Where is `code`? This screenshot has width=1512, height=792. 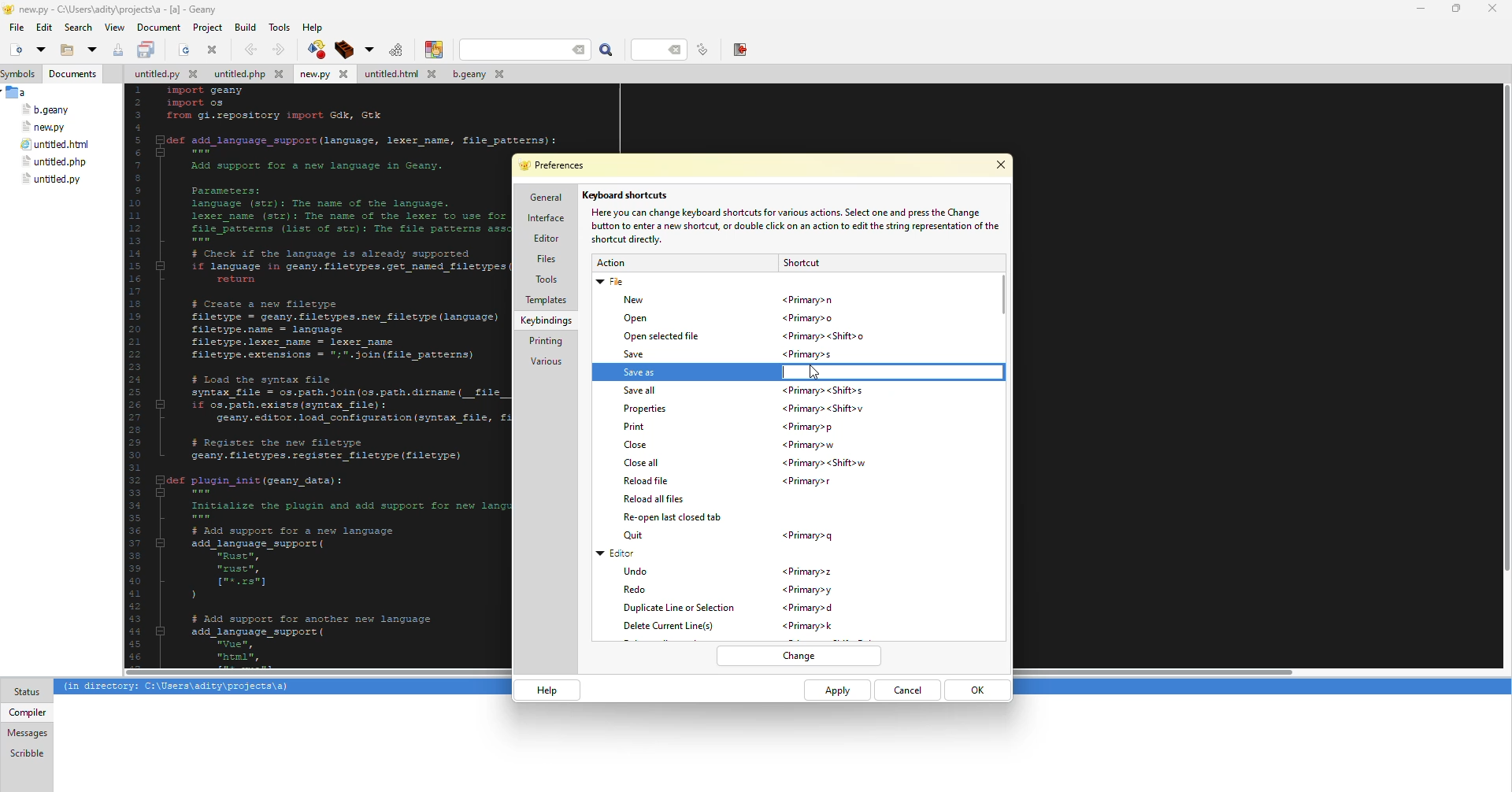 code is located at coordinates (303, 373).